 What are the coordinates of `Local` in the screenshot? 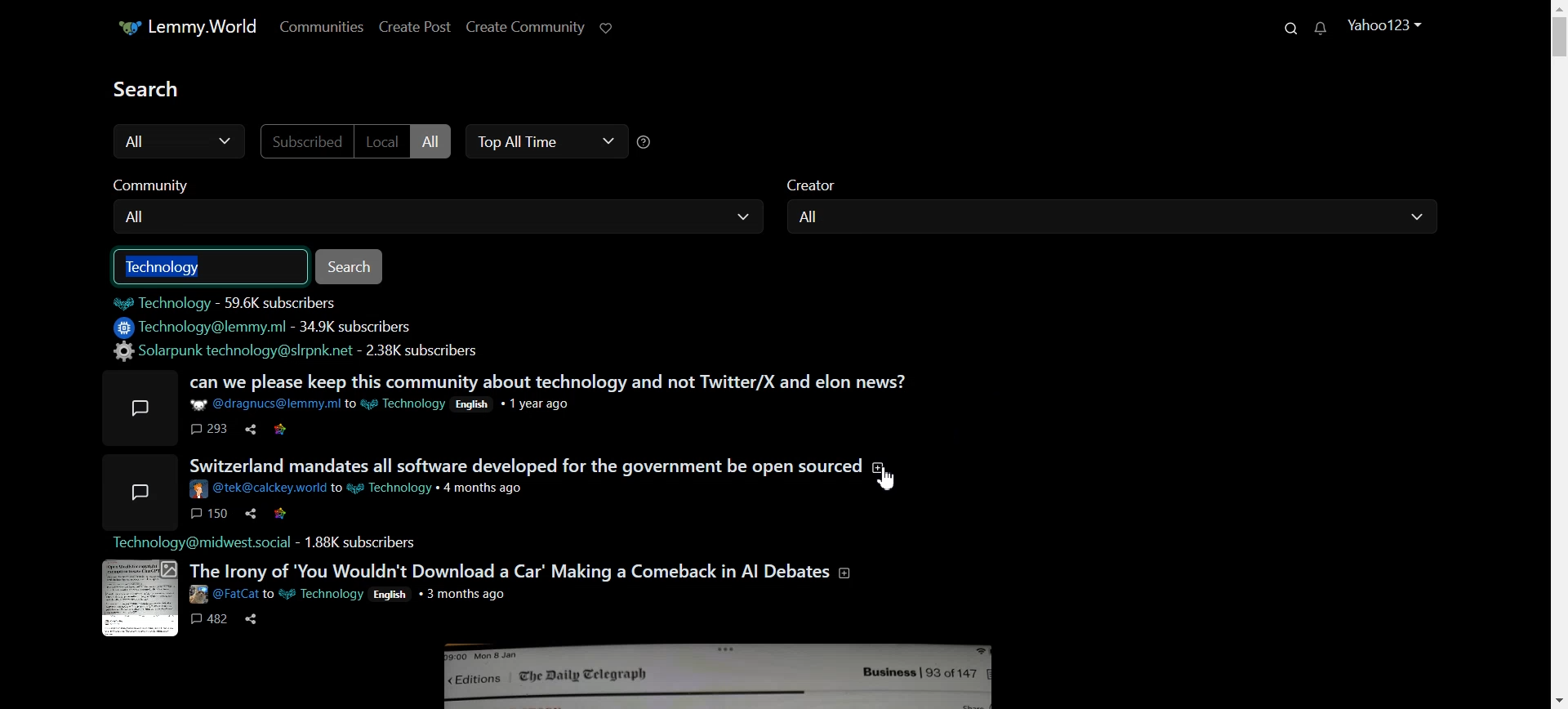 It's located at (383, 141).